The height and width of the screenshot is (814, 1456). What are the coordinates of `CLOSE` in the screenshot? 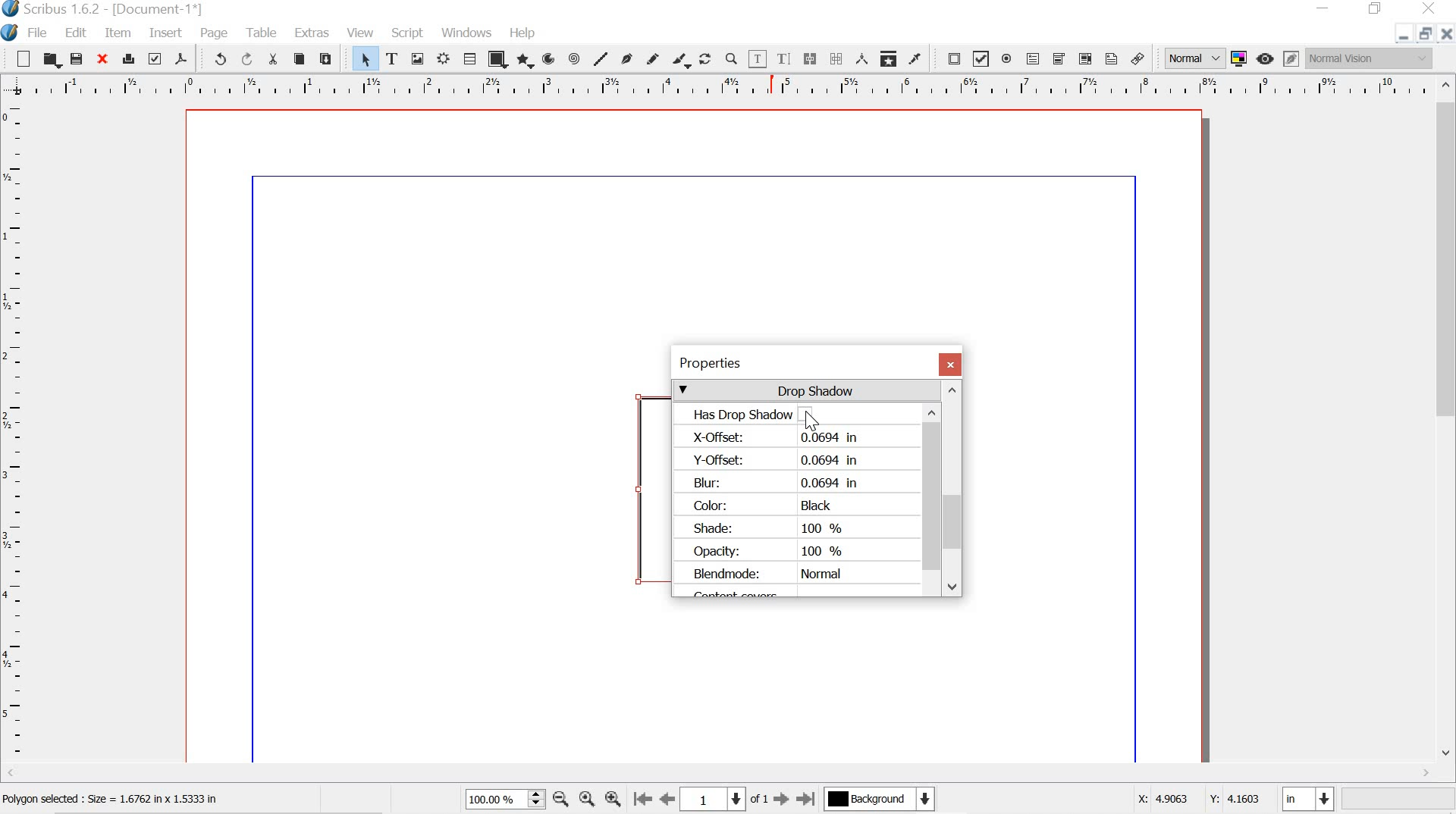 It's located at (1447, 34).